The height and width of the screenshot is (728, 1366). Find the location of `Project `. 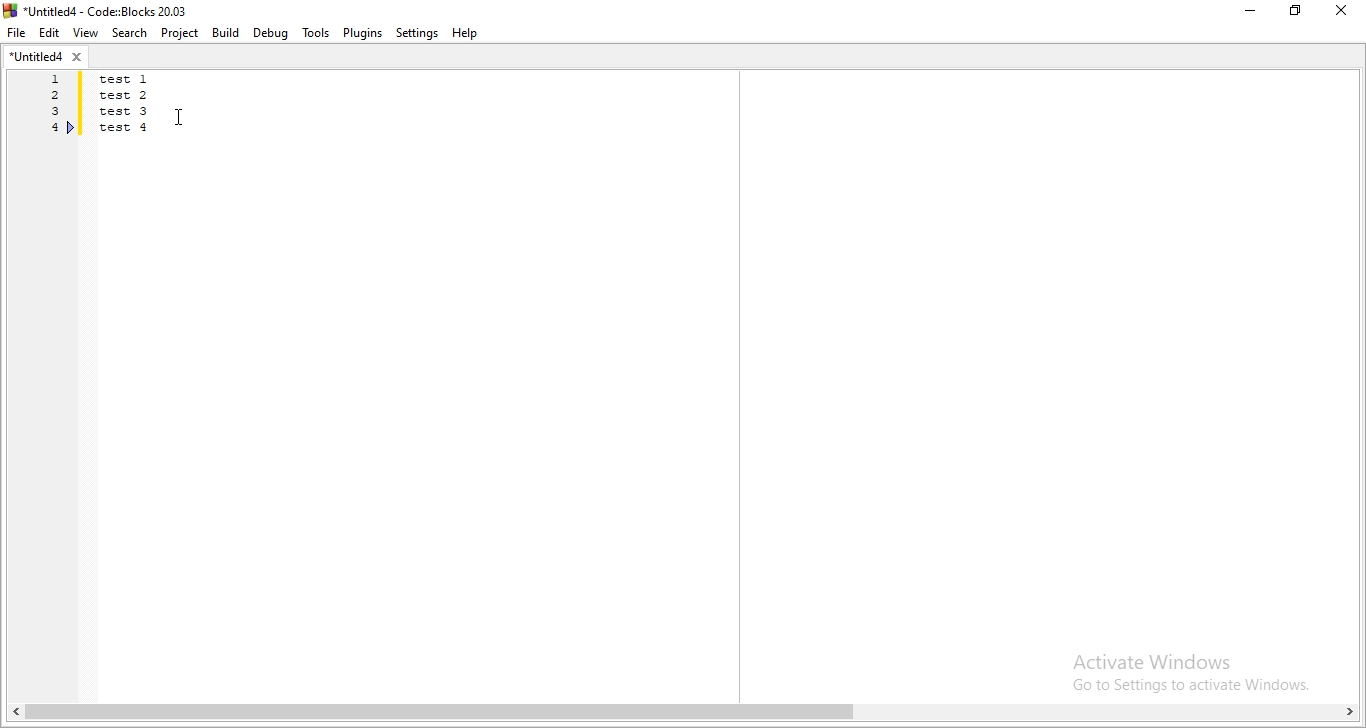

Project  is located at coordinates (178, 34).